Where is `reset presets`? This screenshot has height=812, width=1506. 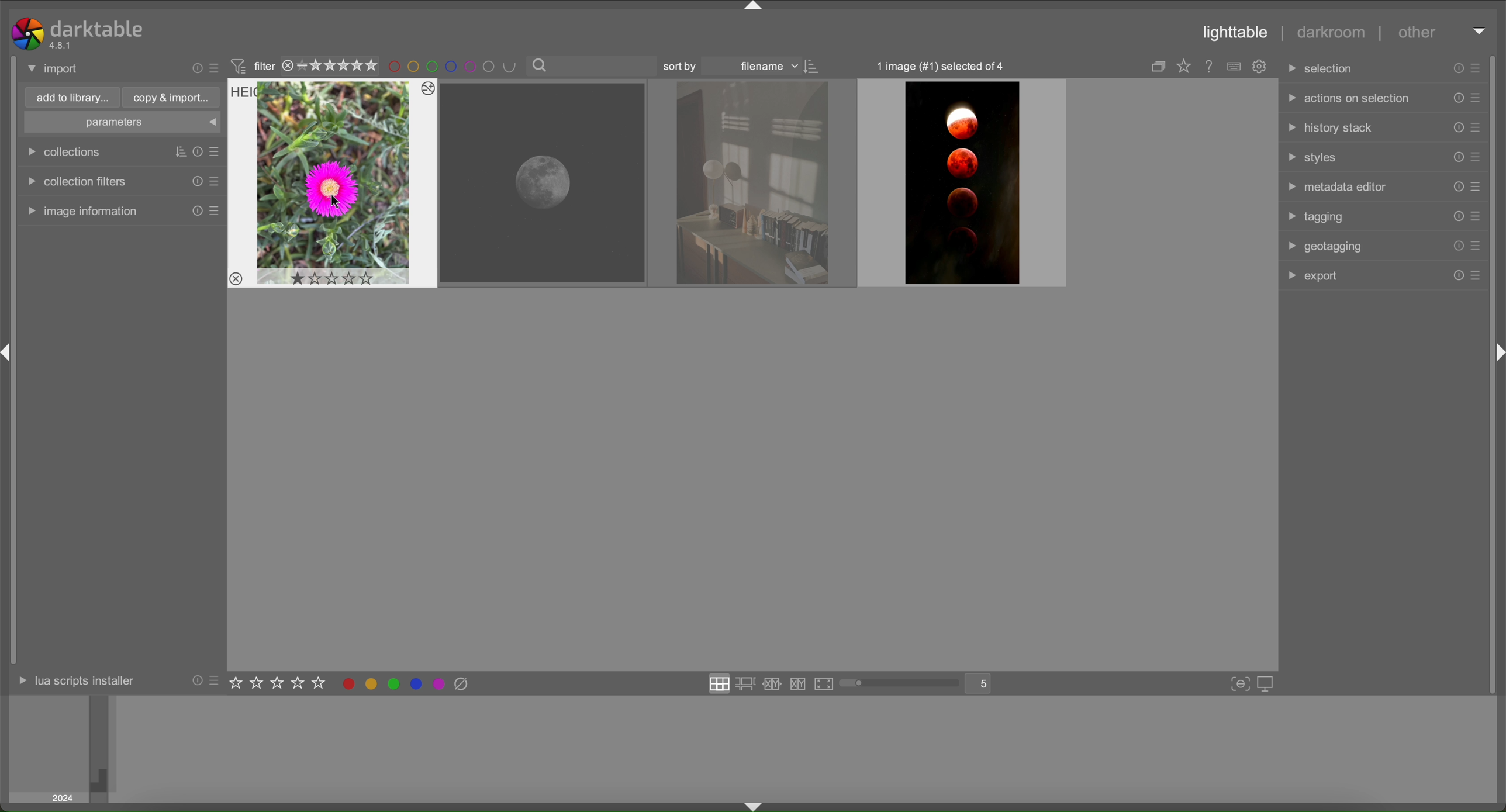 reset presets is located at coordinates (1457, 68).